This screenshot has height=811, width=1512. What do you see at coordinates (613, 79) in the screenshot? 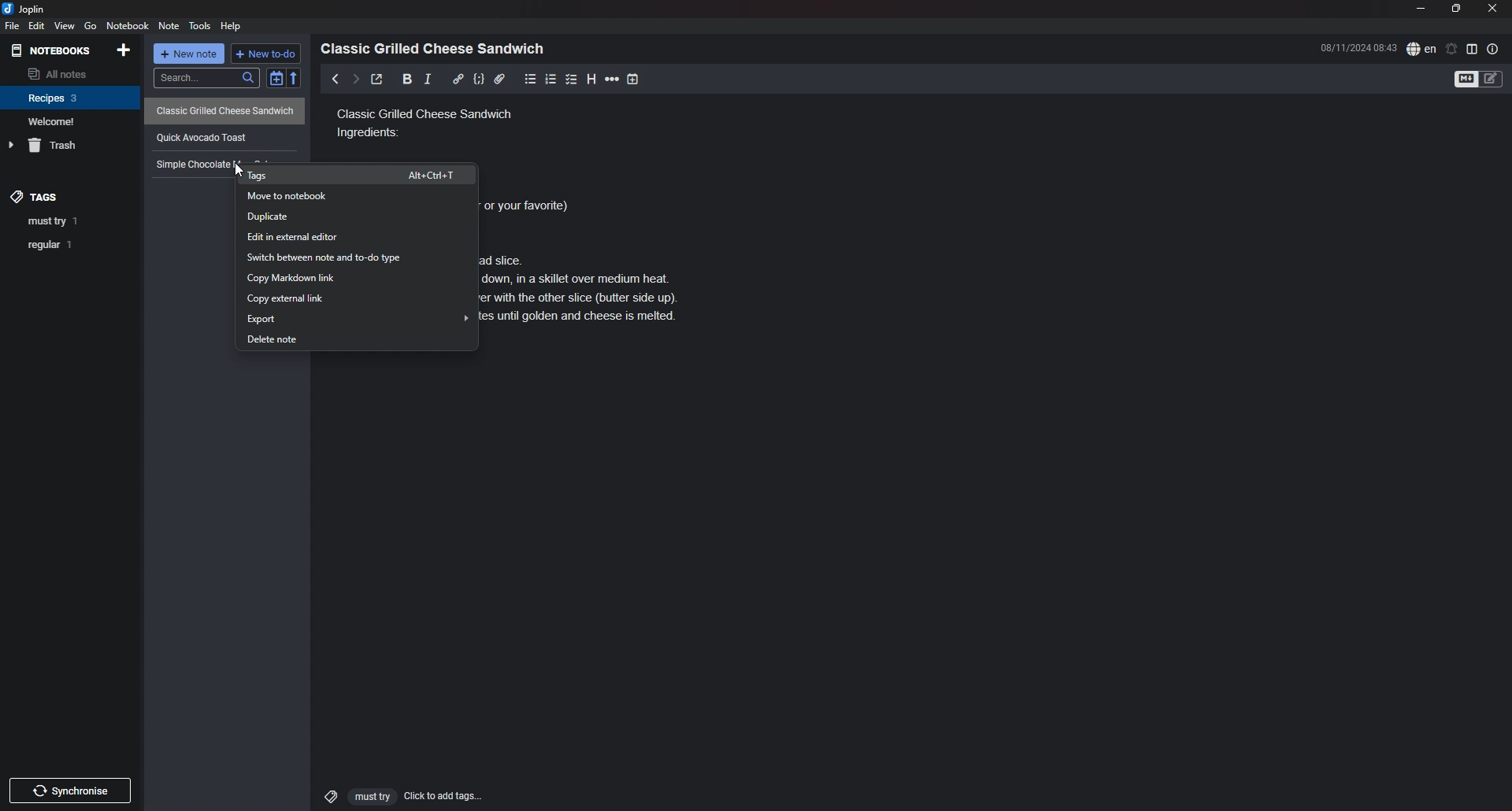
I see `horizontal rule` at bounding box center [613, 79].